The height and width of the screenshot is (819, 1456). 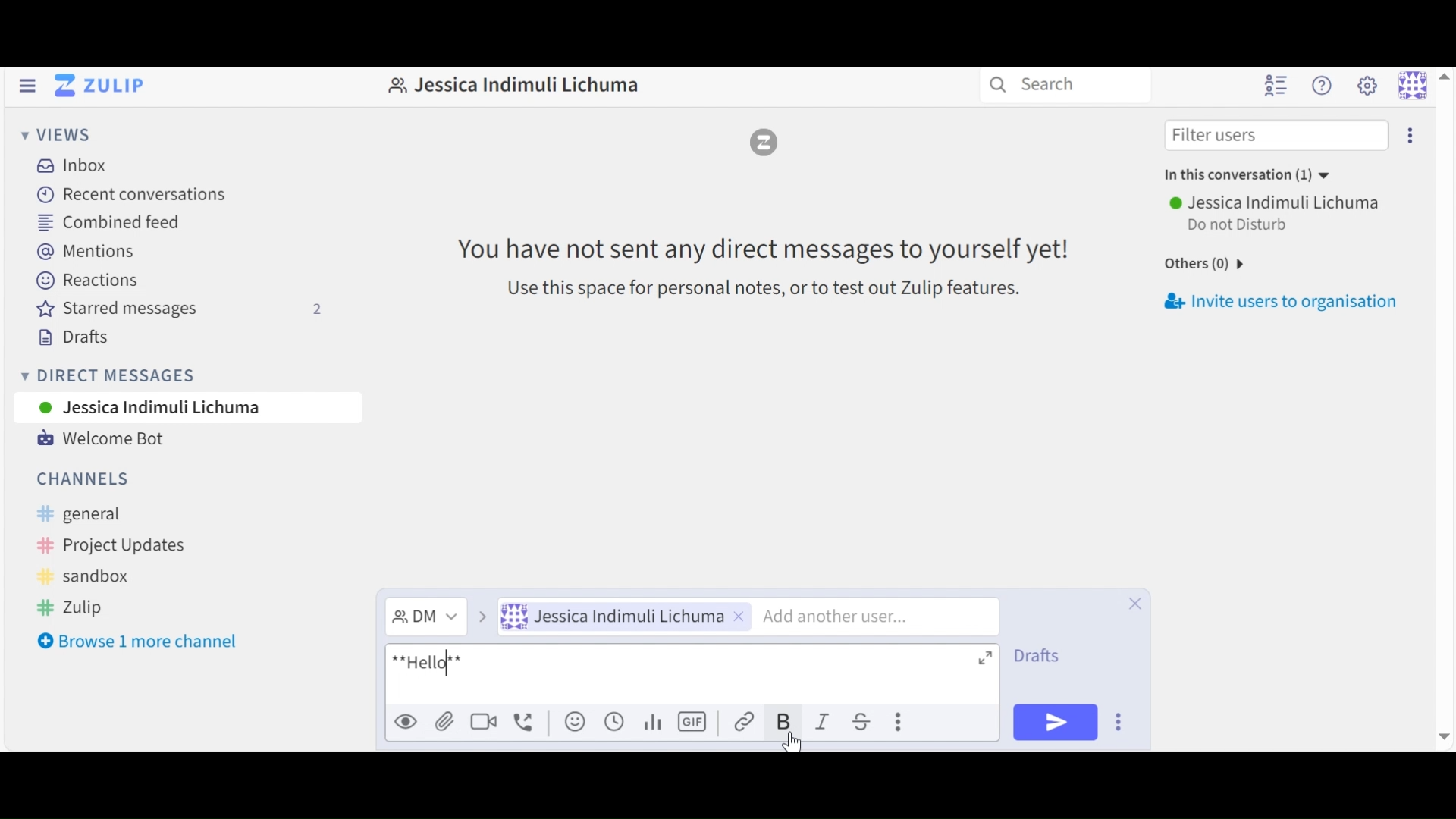 I want to click on do not disturb, so click(x=1247, y=225).